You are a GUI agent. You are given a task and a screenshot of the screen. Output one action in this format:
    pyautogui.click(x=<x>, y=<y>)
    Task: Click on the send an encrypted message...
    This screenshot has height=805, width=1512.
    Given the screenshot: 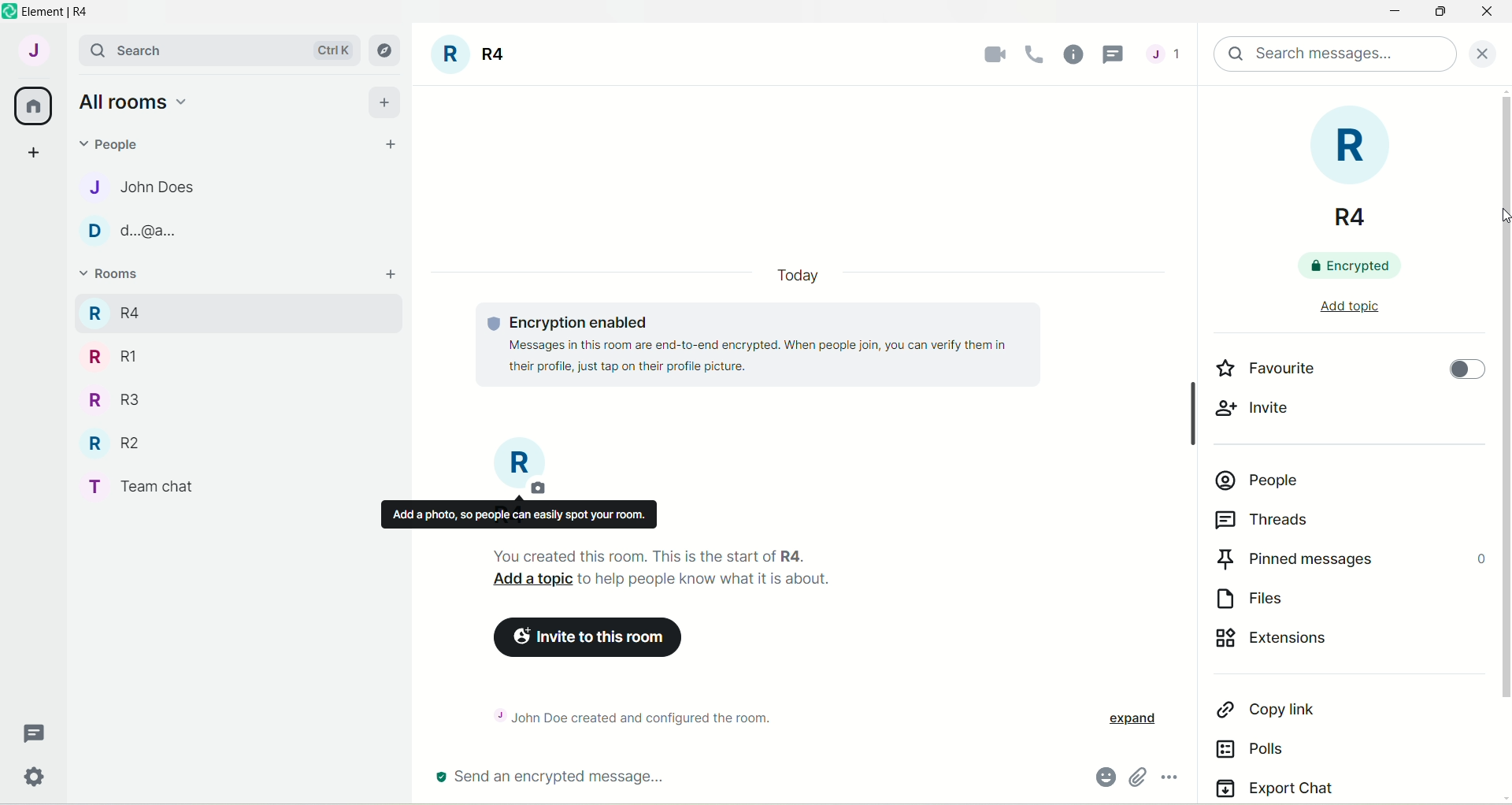 What is the action you would take?
    pyautogui.click(x=661, y=778)
    